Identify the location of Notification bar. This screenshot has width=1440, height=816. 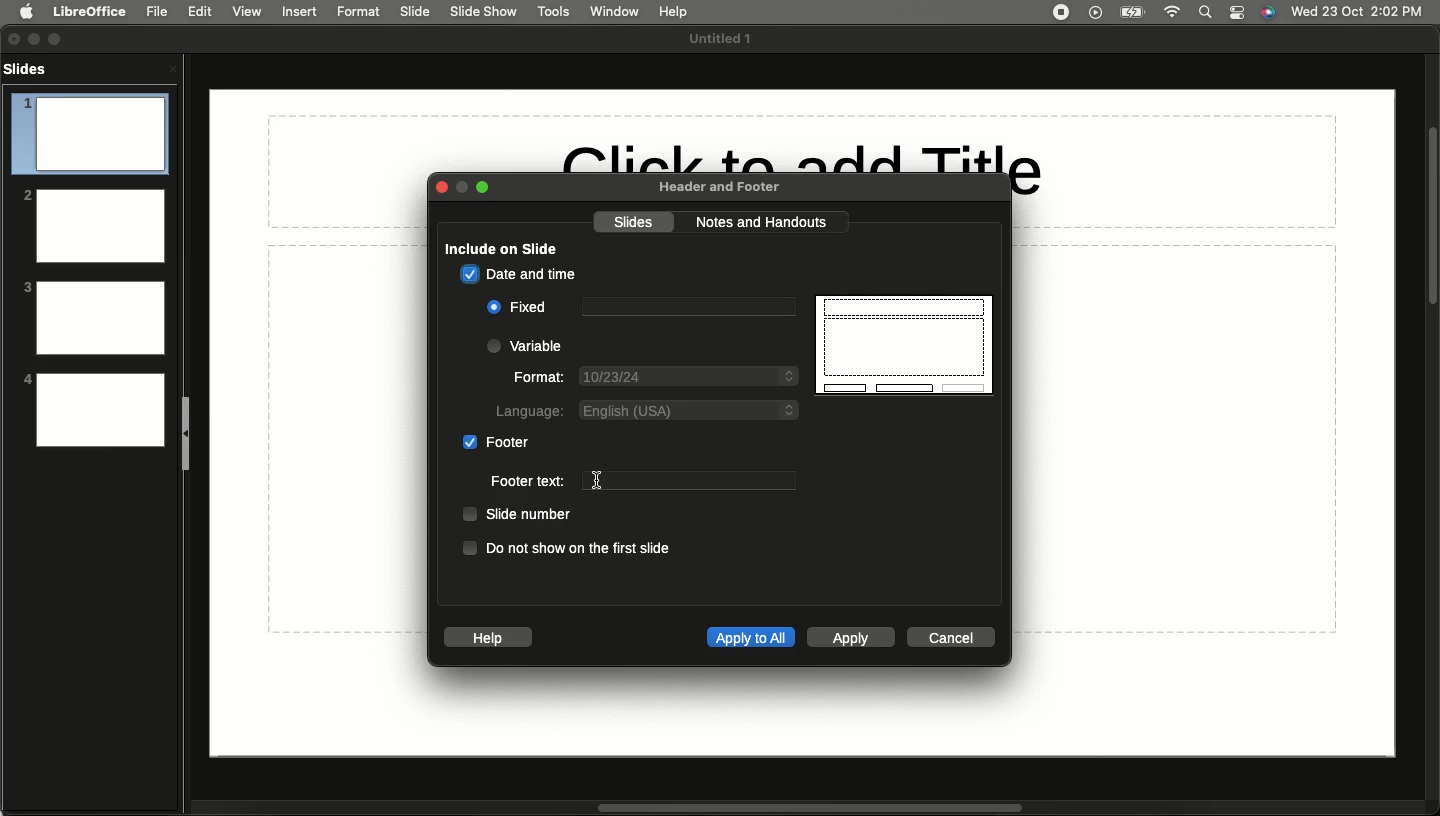
(1238, 13).